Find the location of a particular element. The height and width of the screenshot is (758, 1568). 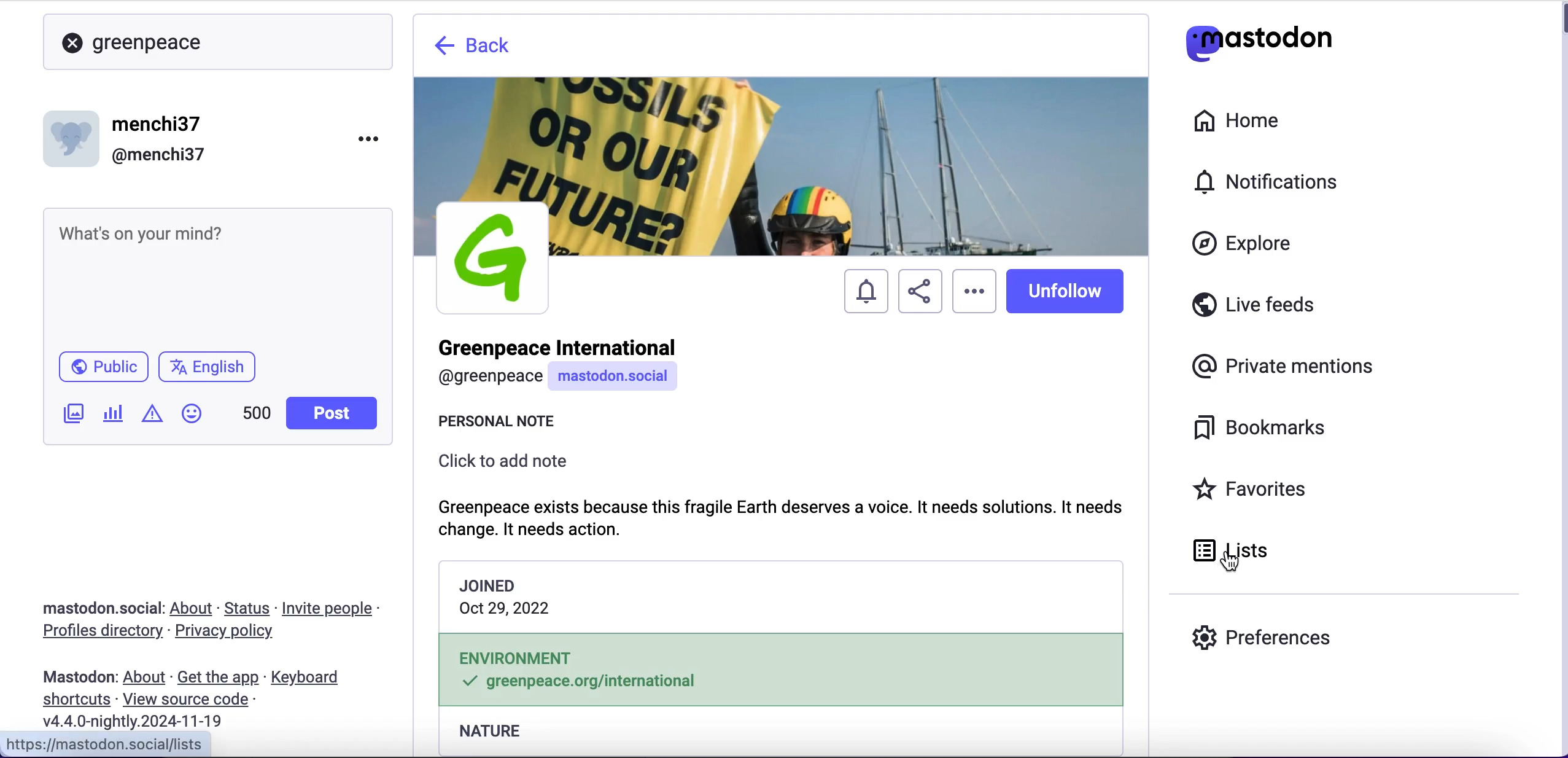

scroll bar is located at coordinates (1561, 381).